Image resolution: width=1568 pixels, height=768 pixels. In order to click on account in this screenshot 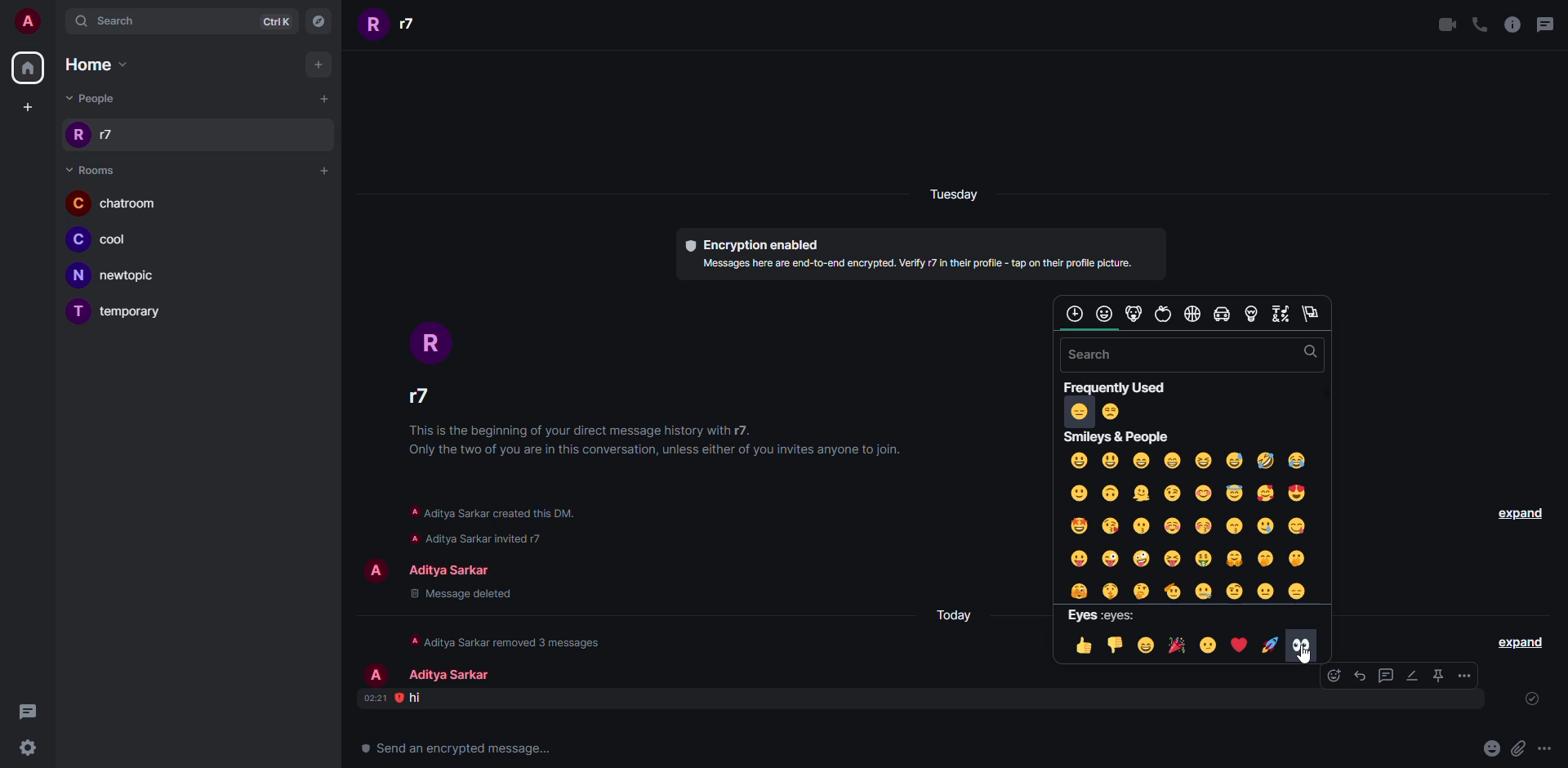, I will do `click(28, 20)`.